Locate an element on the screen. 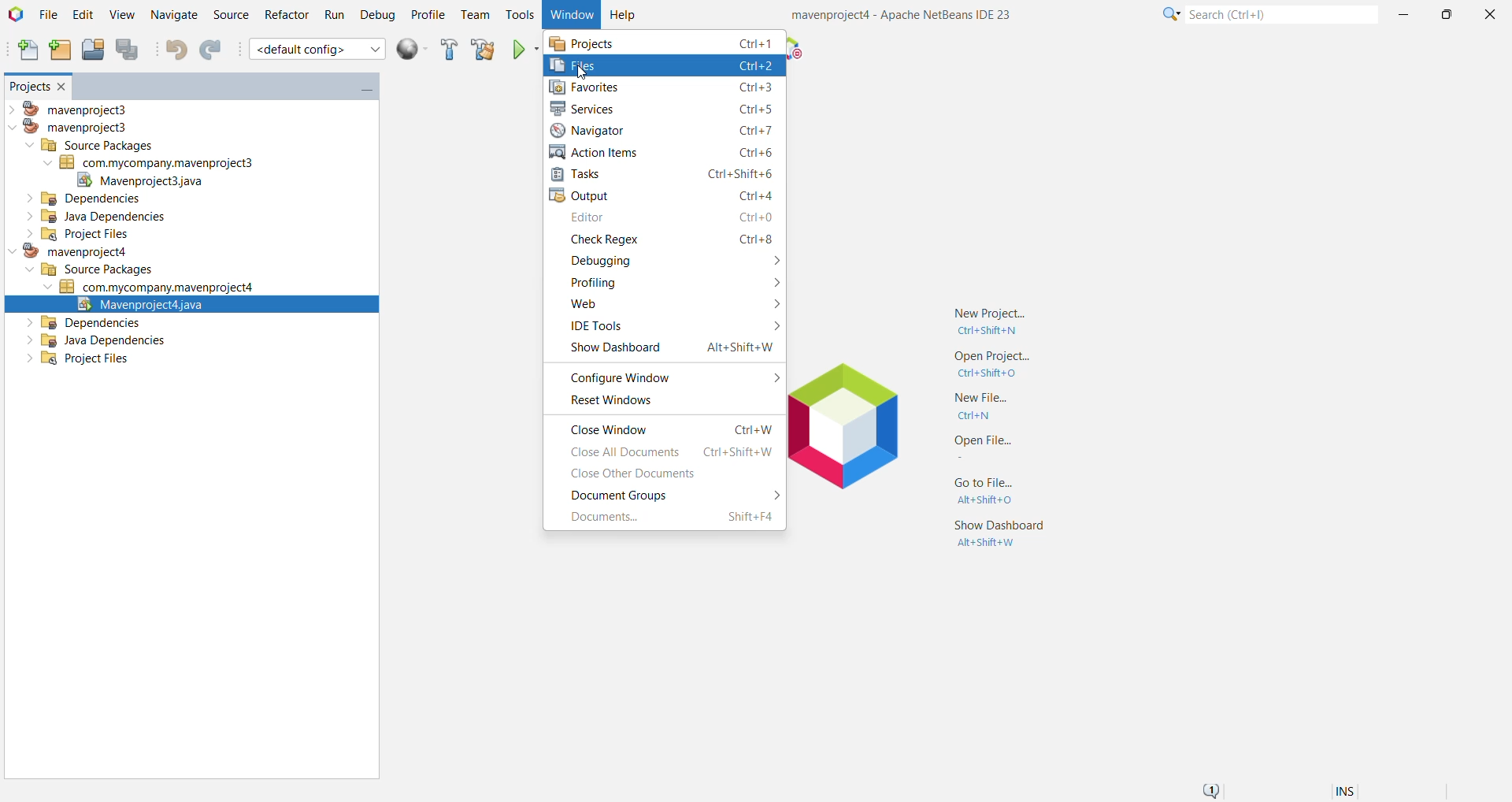  Clean and build Project is located at coordinates (482, 50).